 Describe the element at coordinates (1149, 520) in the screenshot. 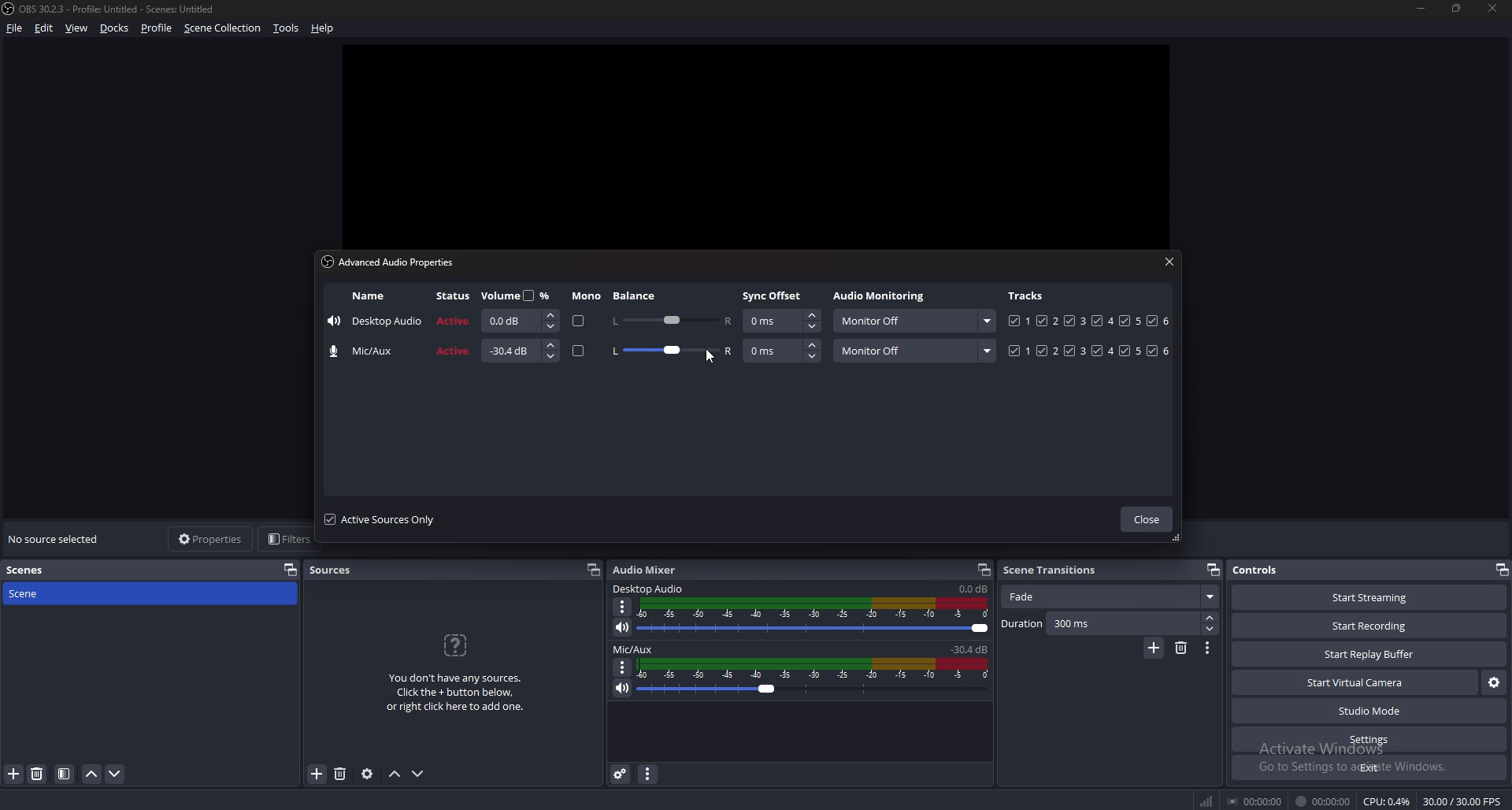

I see `close` at that location.